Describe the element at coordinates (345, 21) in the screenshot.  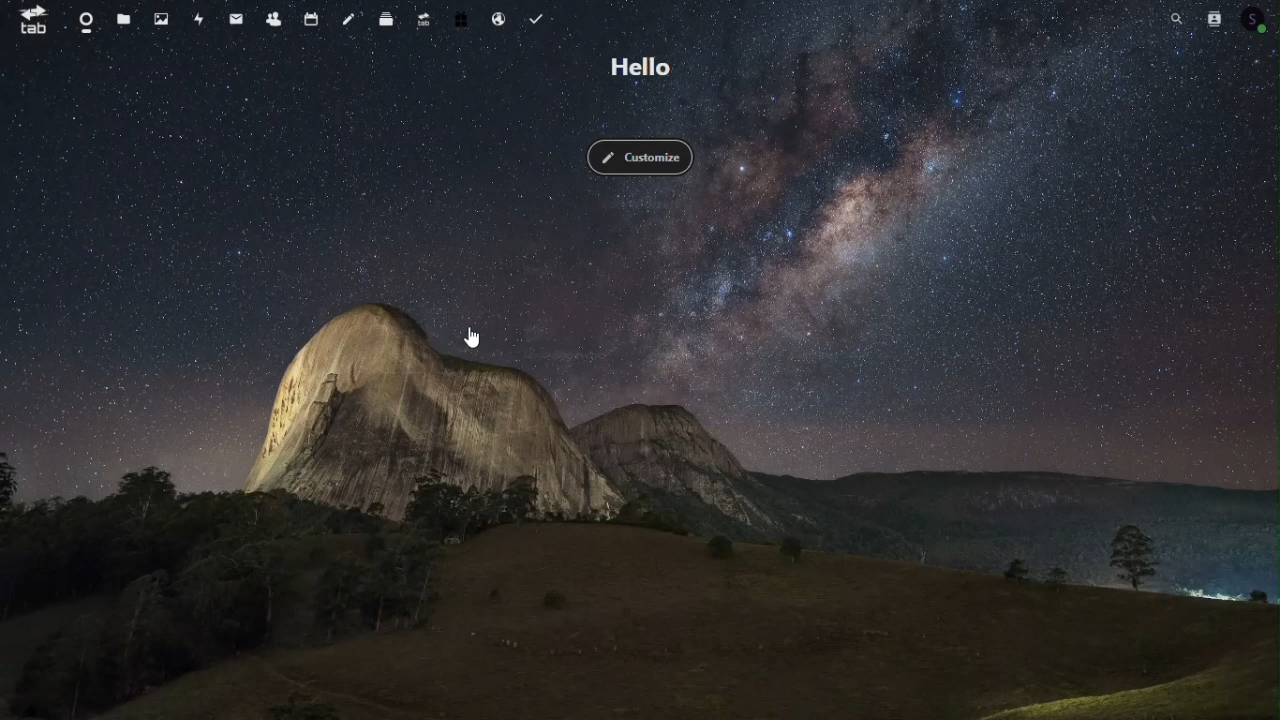
I see `Notes` at that location.